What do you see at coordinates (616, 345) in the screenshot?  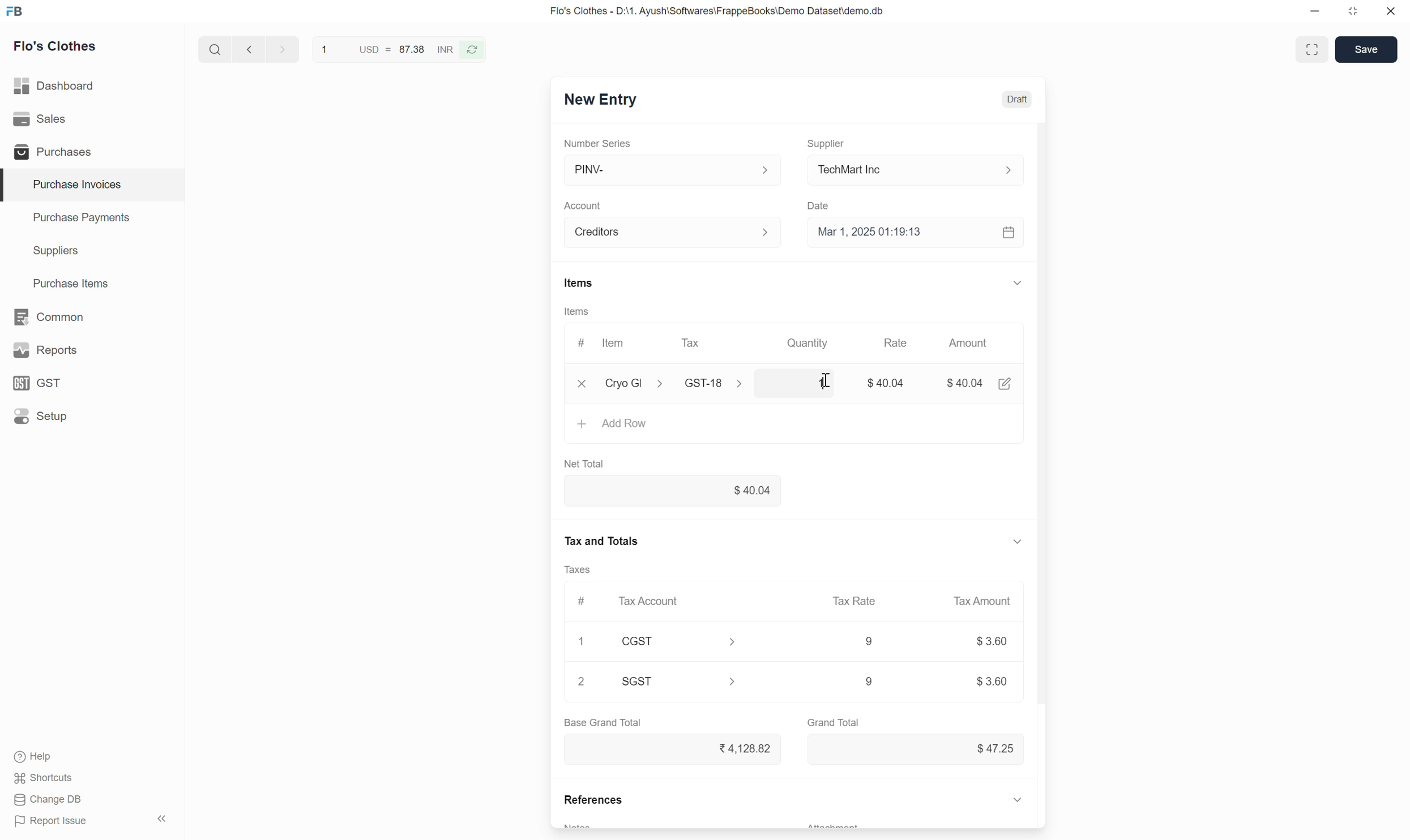 I see `ltem` at bounding box center [616, 345].